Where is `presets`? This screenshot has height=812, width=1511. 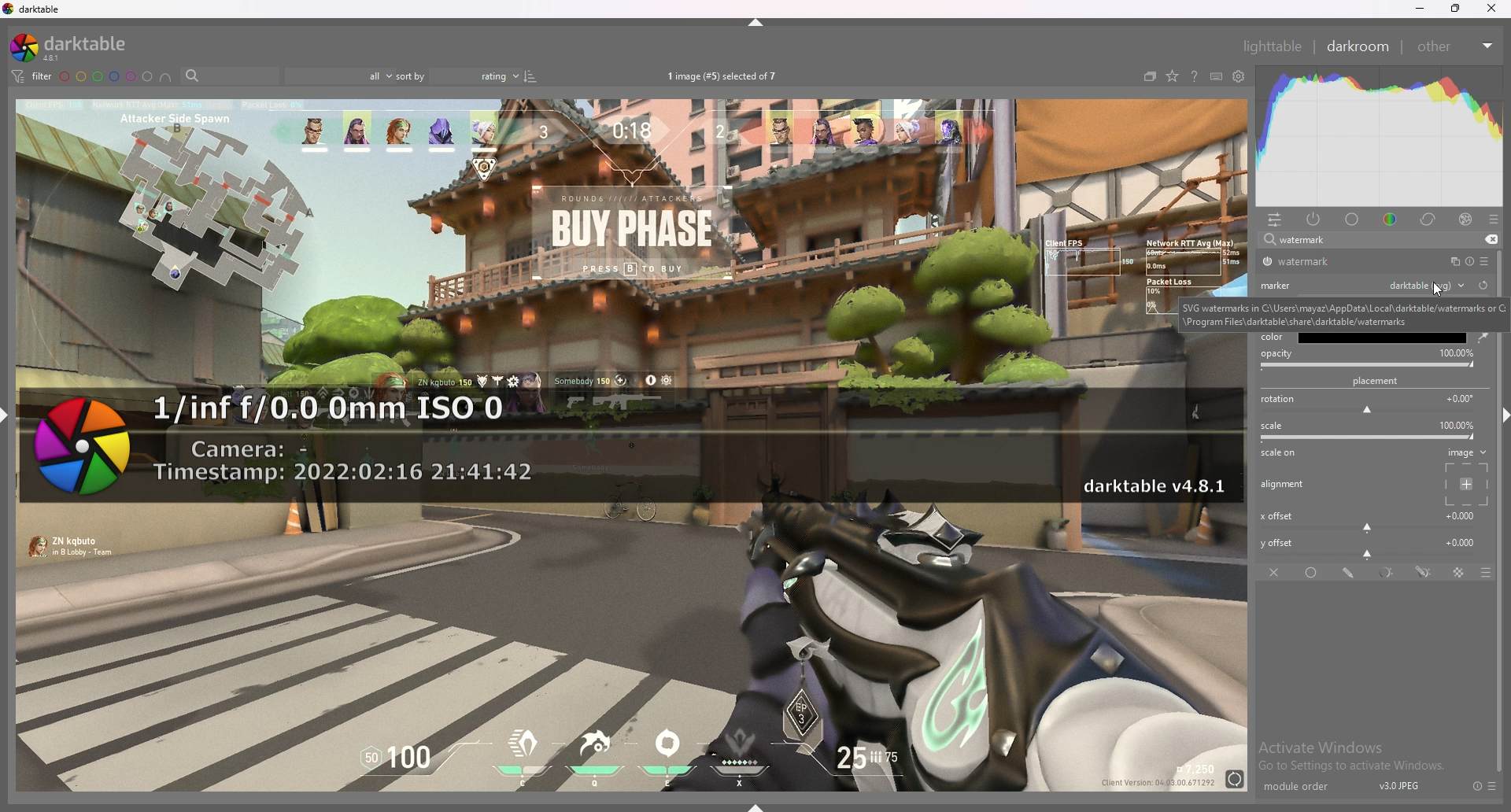
presets is located at coordinates (1493, 786).